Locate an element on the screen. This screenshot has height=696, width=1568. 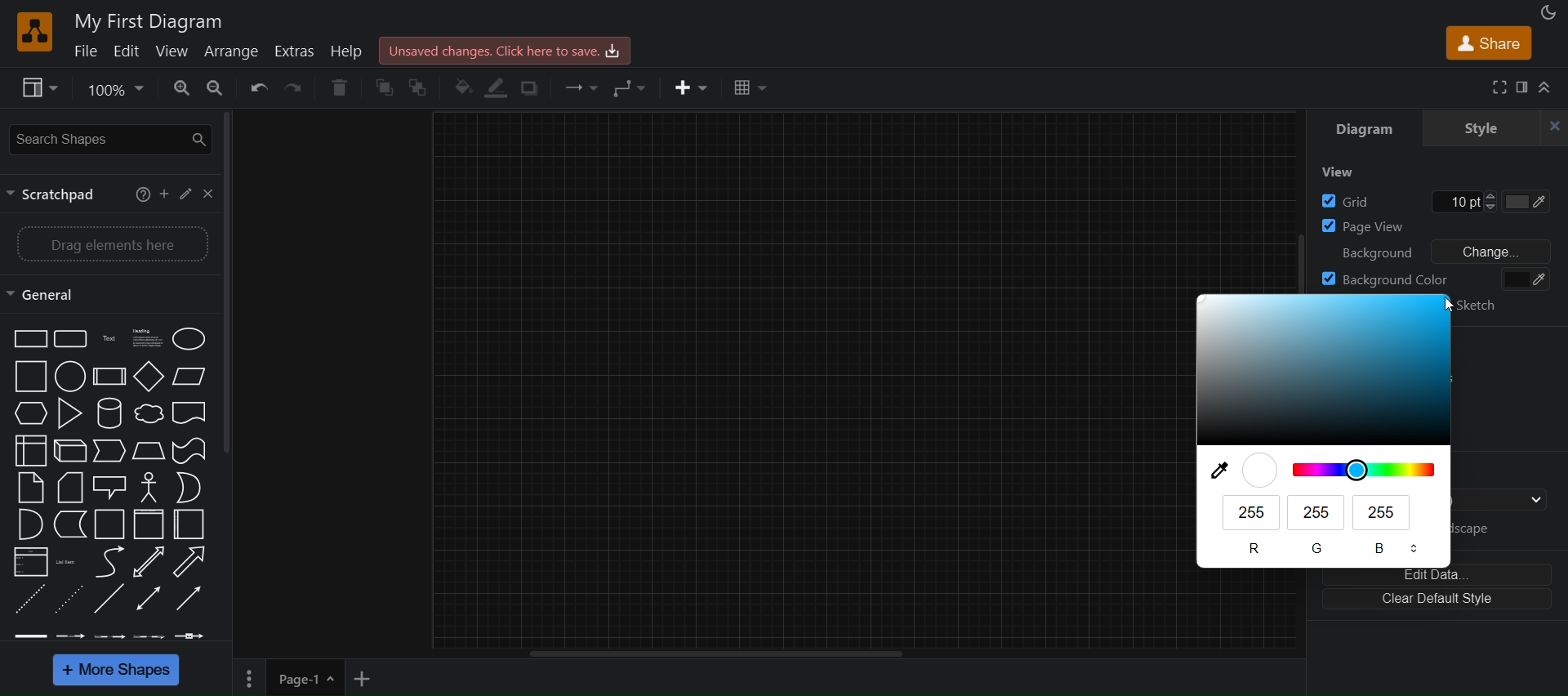
canvas is located at coordinates (806, 388).